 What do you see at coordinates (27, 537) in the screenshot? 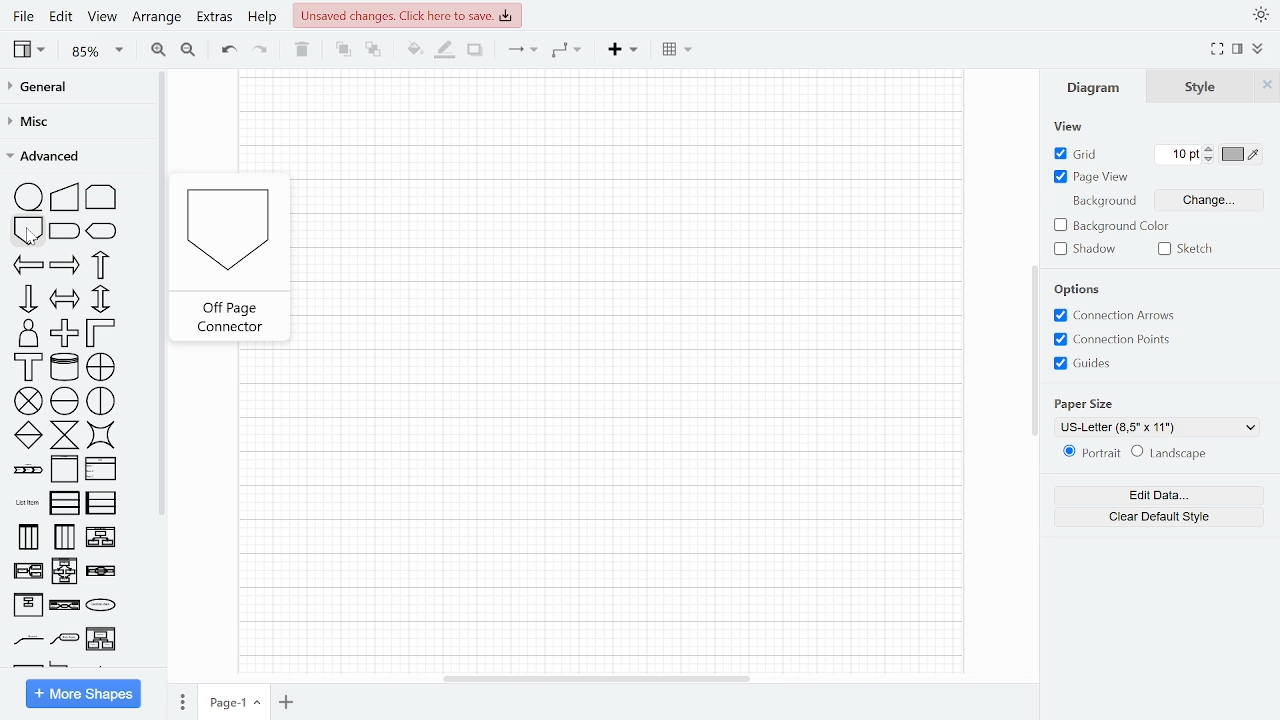
I see `vertical pool` at bounding box center [27, 537].